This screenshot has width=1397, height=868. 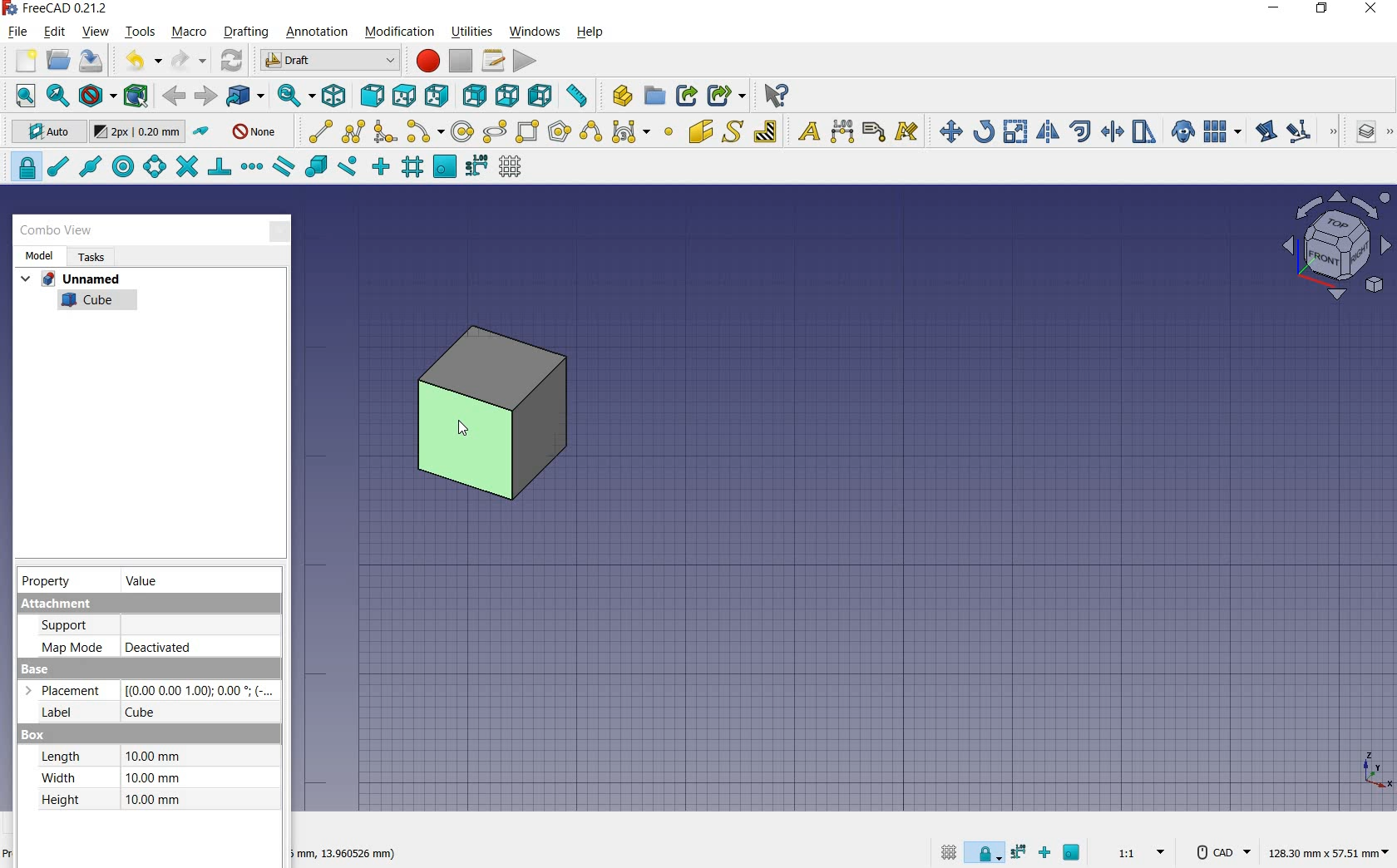 I want to click on property, so click(x=46, y=581).